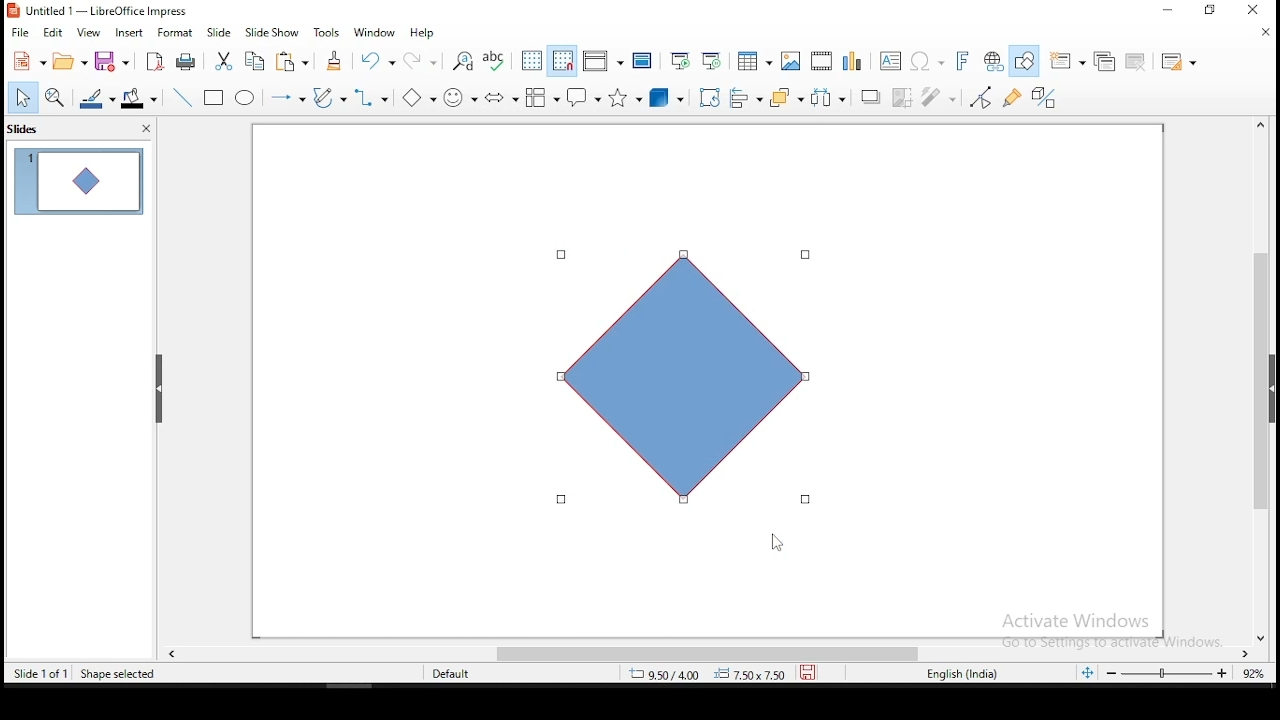  Describe the element at coordinates (496, 59) in the screenshot. I see `spell check` at that location.